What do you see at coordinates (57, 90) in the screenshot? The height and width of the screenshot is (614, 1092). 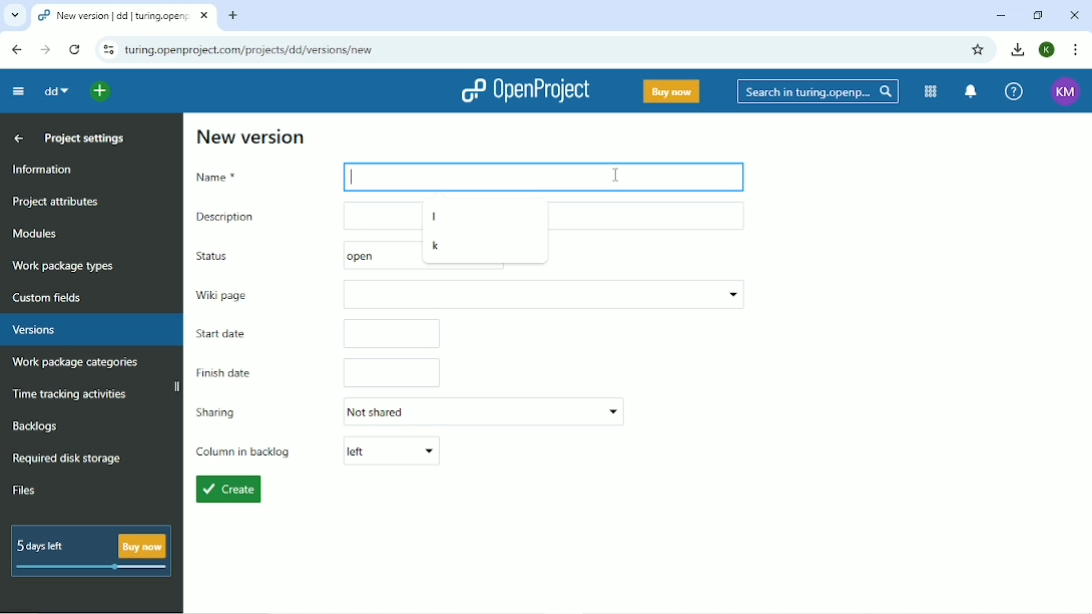 I see `dd` at bounding box center [57, 90].